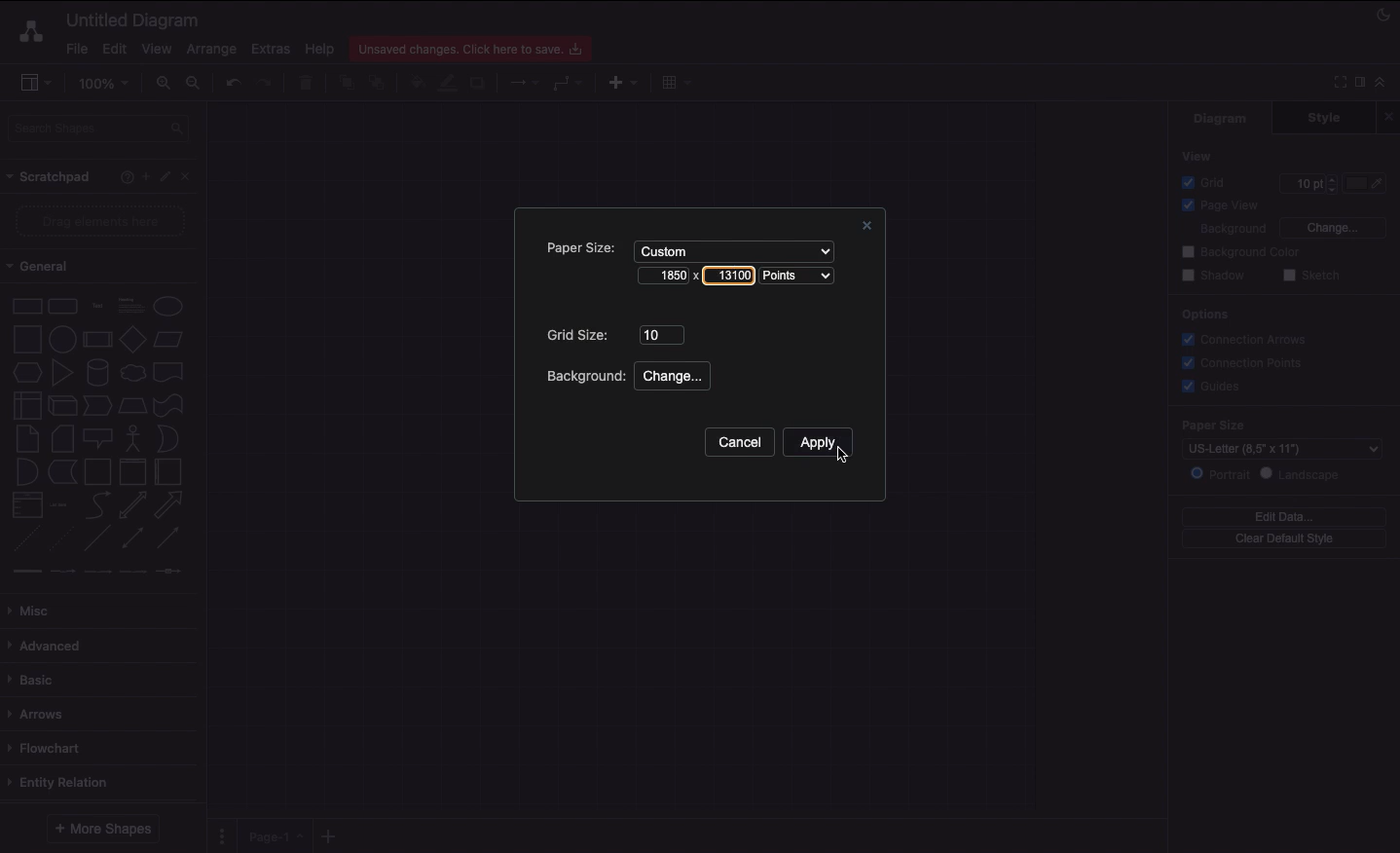 The height and width of the screenshot is (853, 1400). What do you see at coordinates (618, 81) in the screenshot?
I see `Insert` at bounding box center [618, 81].